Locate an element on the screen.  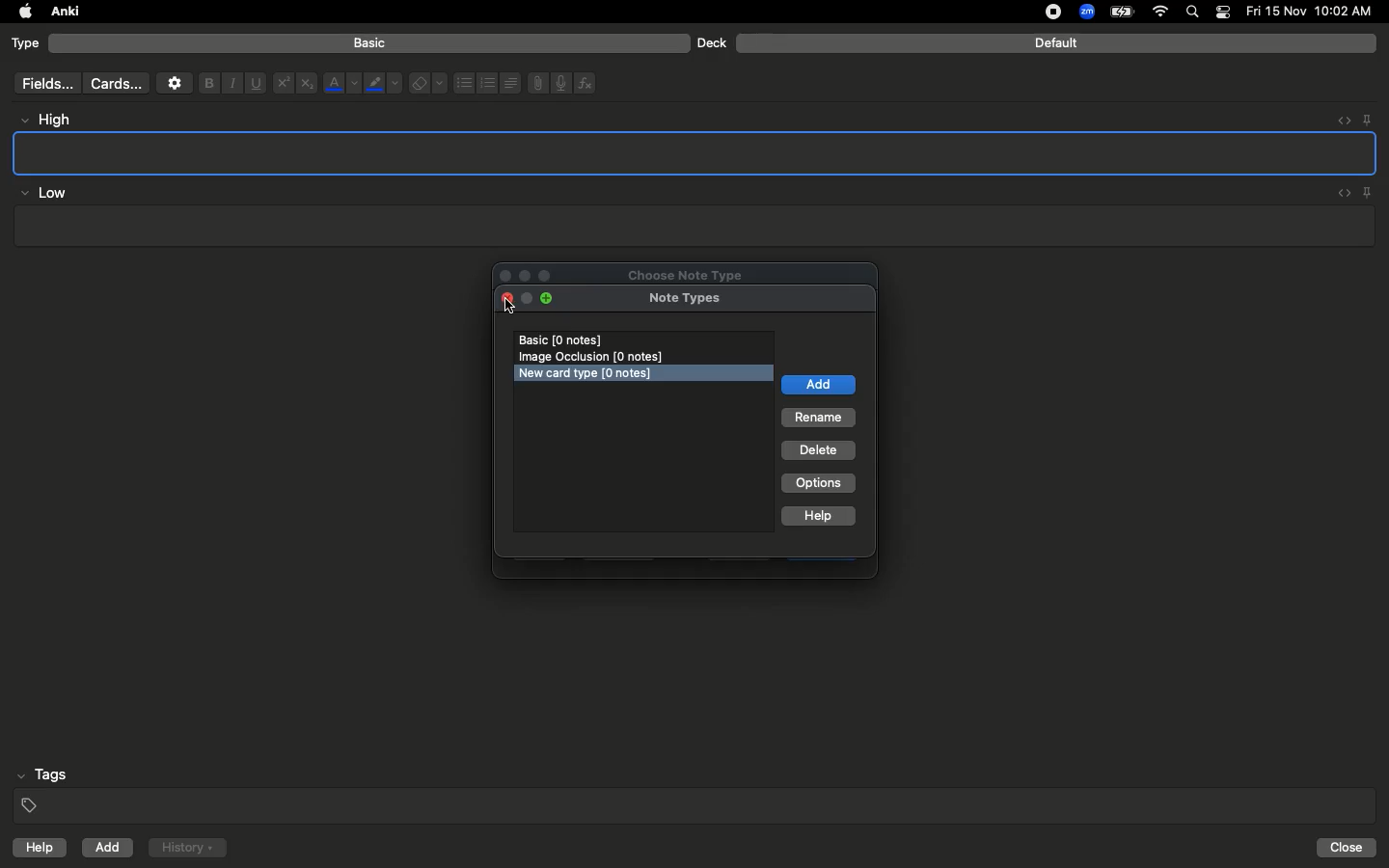
Marker is located at coordinates (383, 85).